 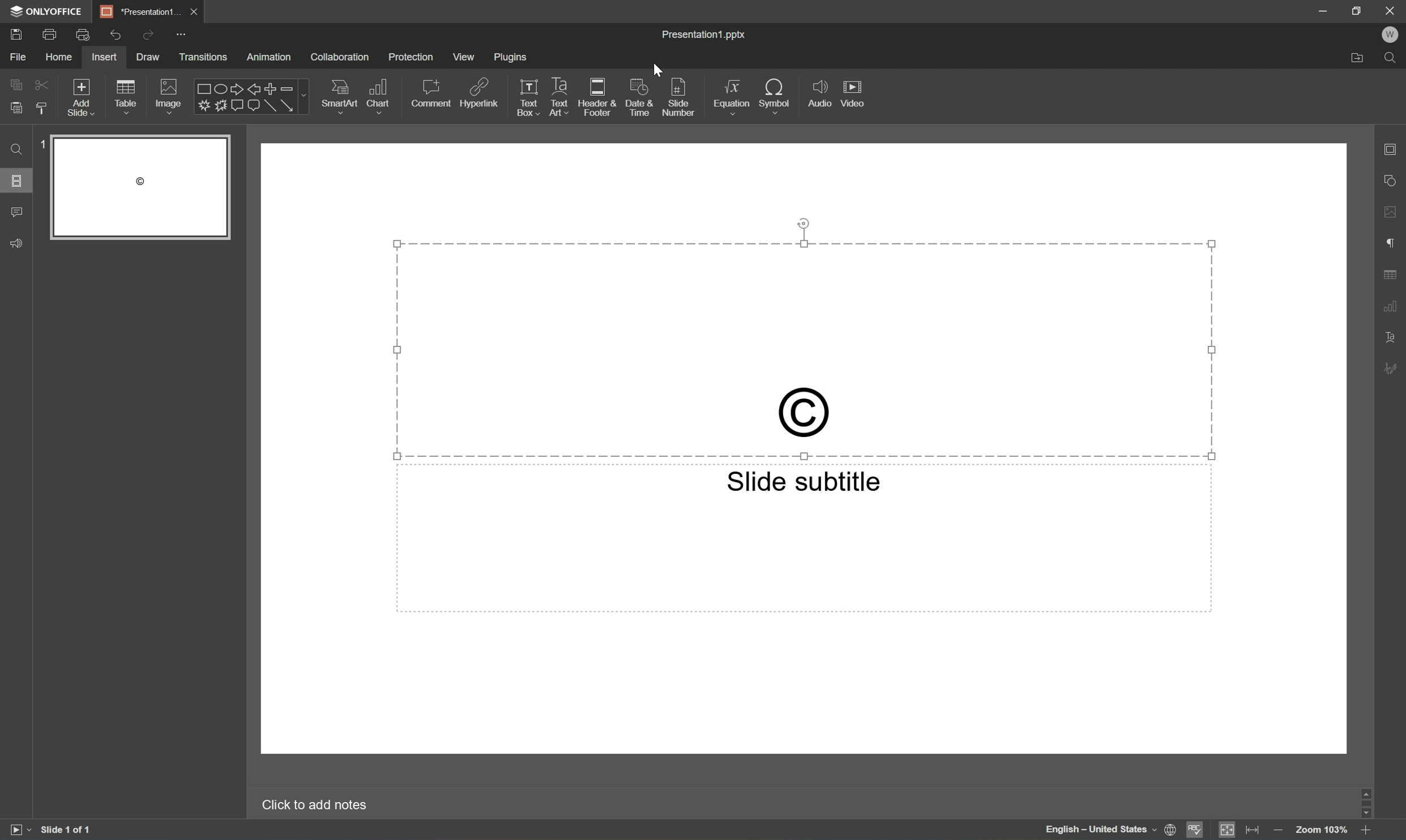 I want to click on Paste, so click(x=16, y=106).